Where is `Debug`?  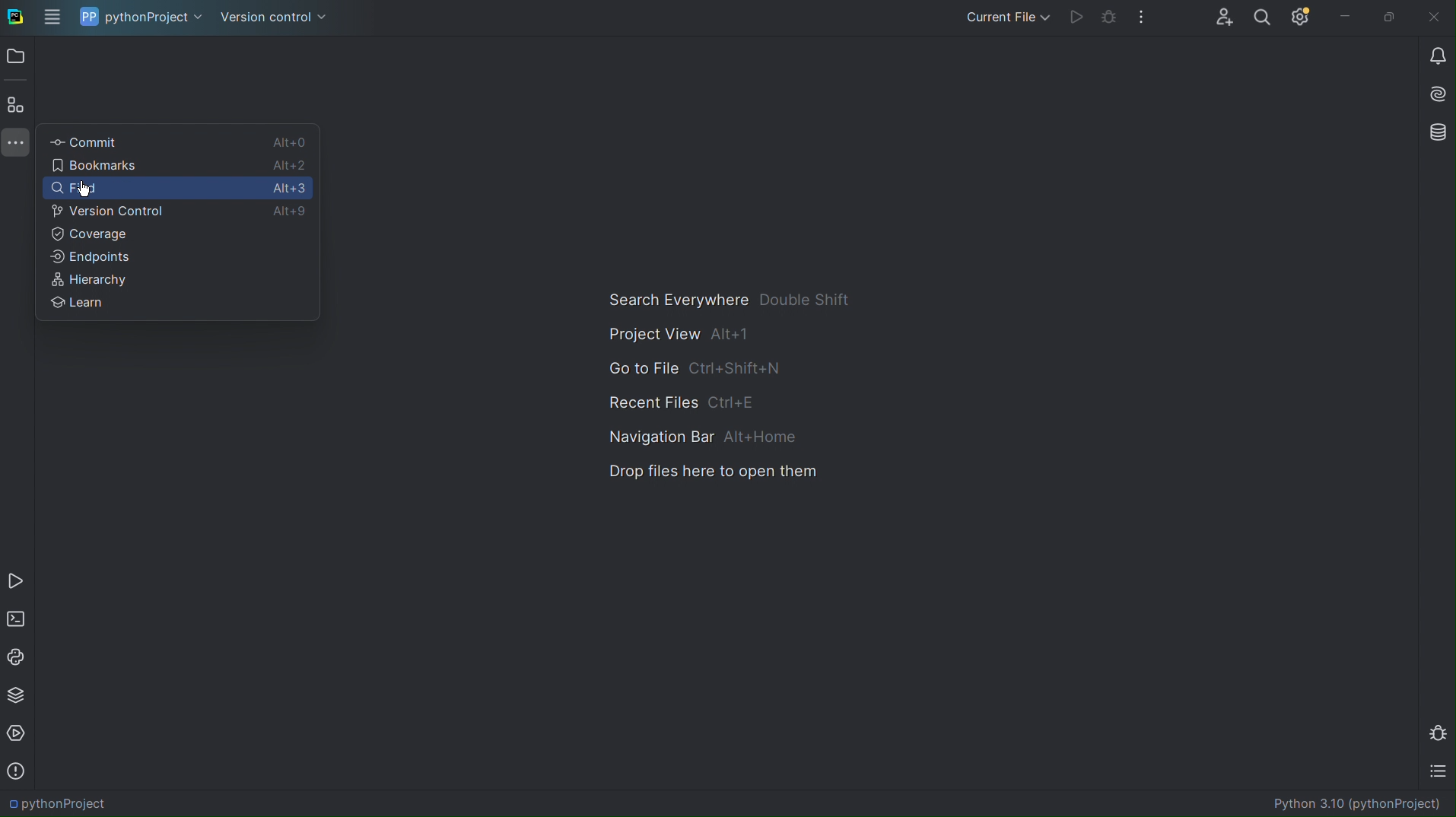
Debug is located at coordinates (1437, 730).